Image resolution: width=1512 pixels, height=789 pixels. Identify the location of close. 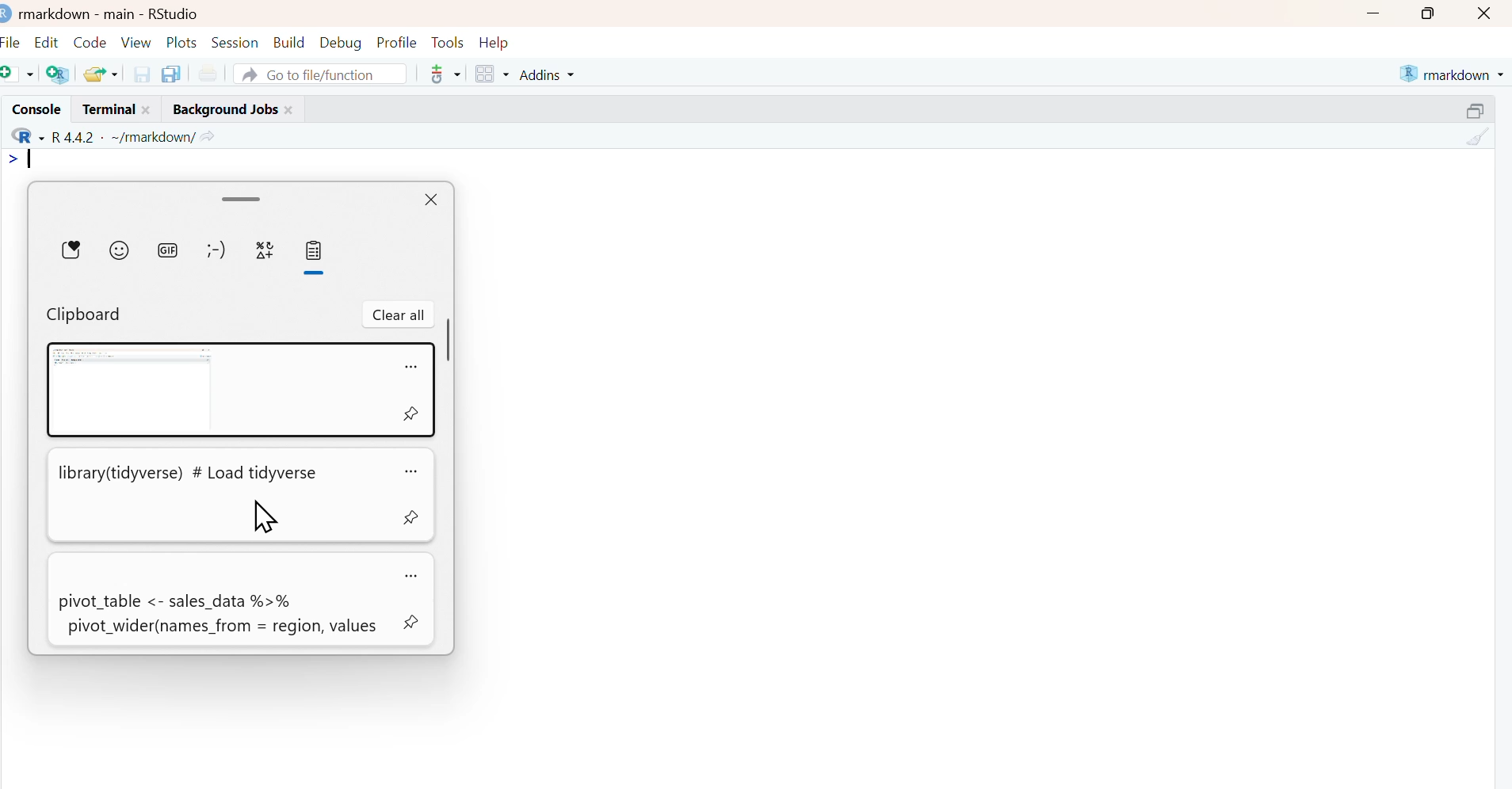
(433, 198).